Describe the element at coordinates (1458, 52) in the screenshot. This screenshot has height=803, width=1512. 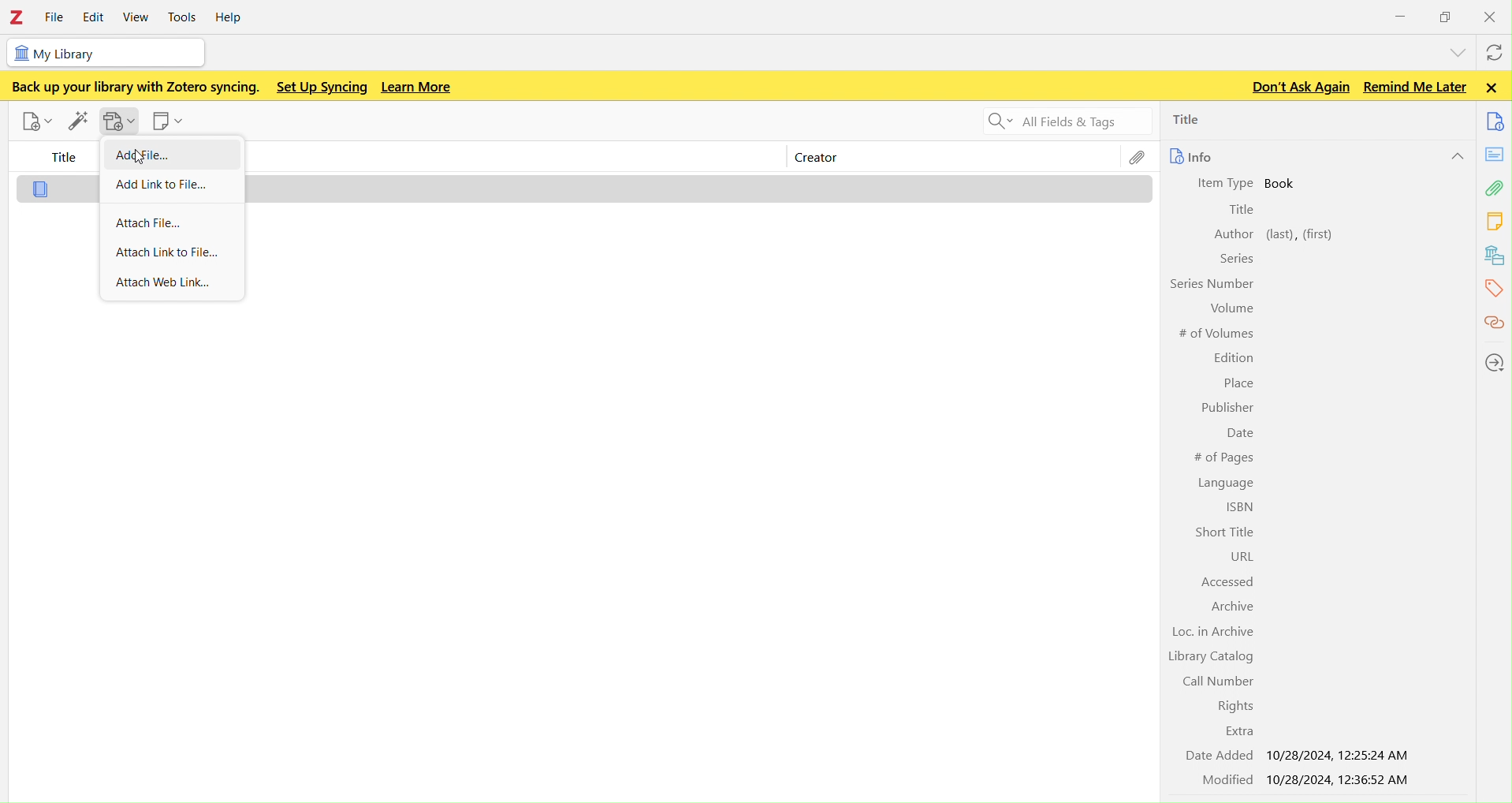
I see `list all tabs` at that location.